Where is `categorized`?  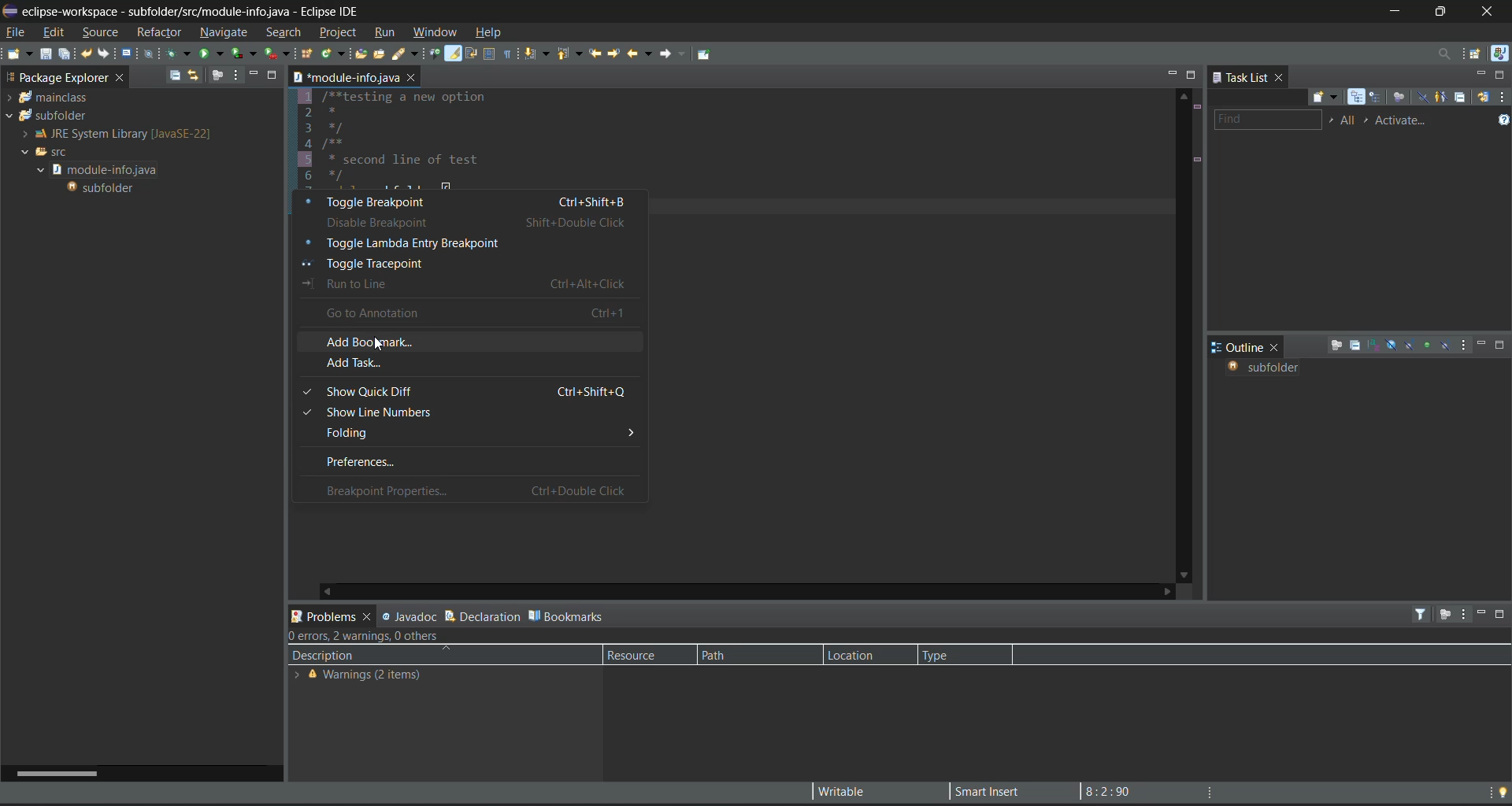 categorized is located at coordinates (1359, 98).